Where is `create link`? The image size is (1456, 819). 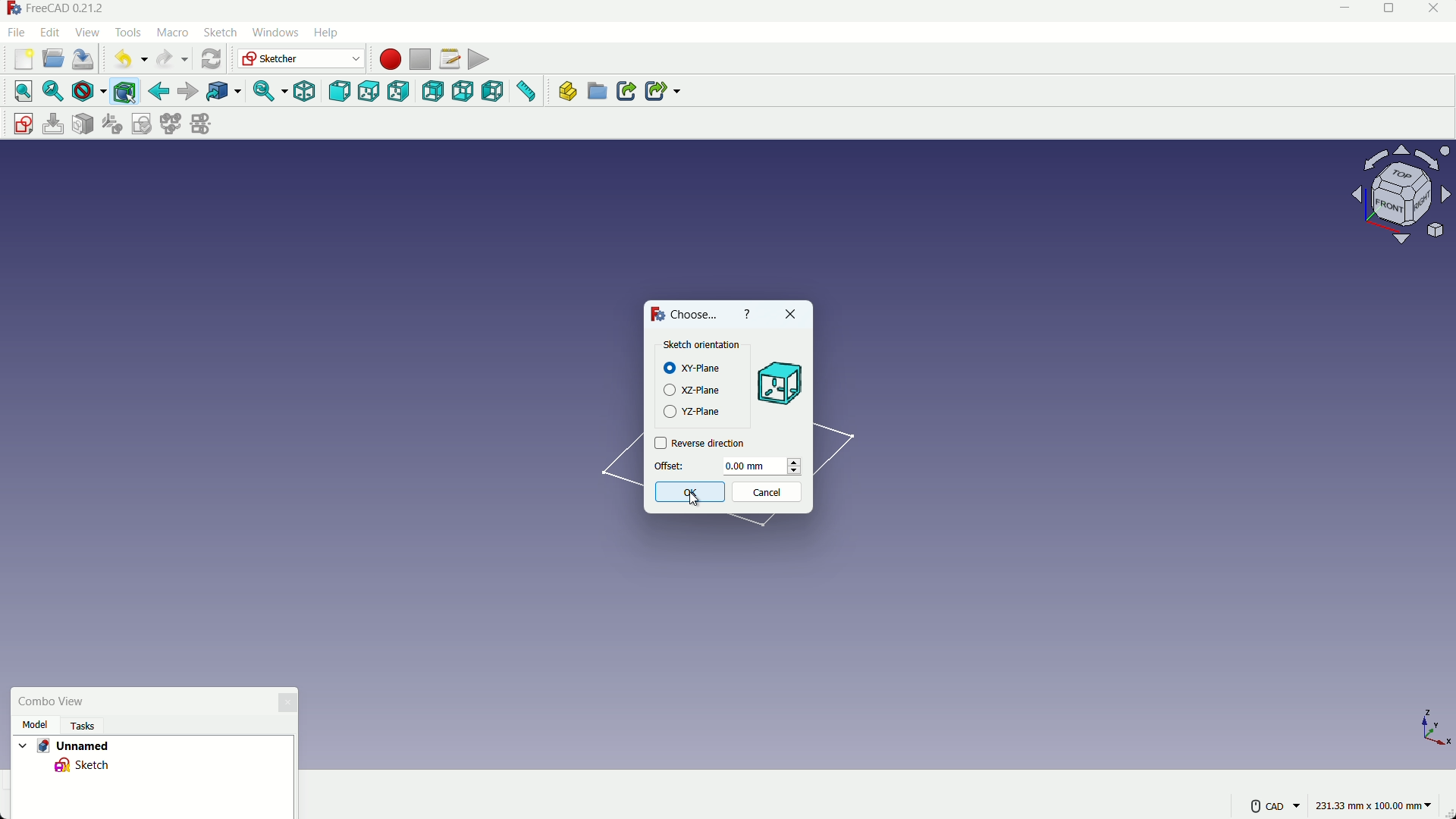
create link is located at coordinates (626, 91).